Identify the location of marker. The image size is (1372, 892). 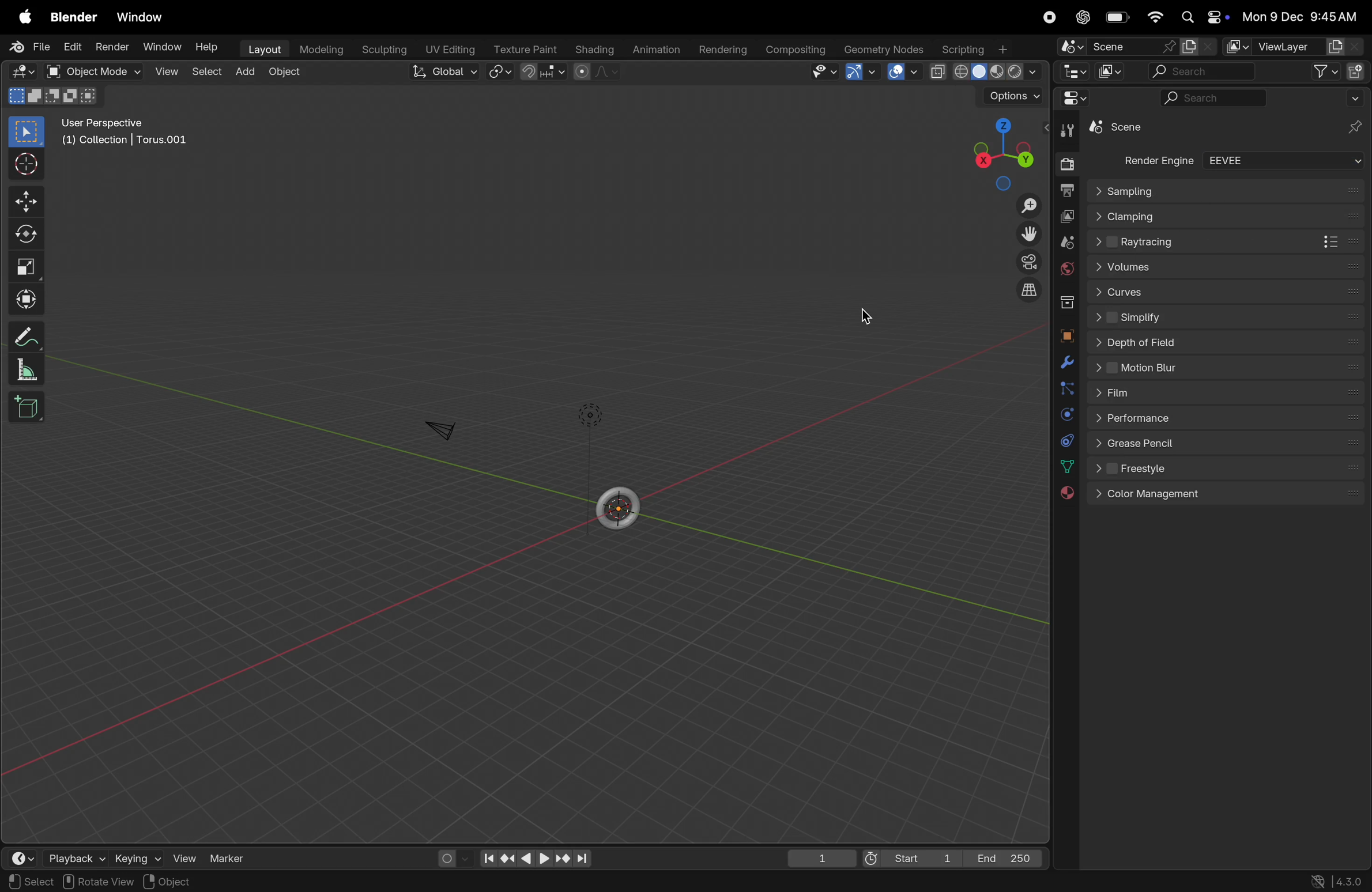
(233, 860).